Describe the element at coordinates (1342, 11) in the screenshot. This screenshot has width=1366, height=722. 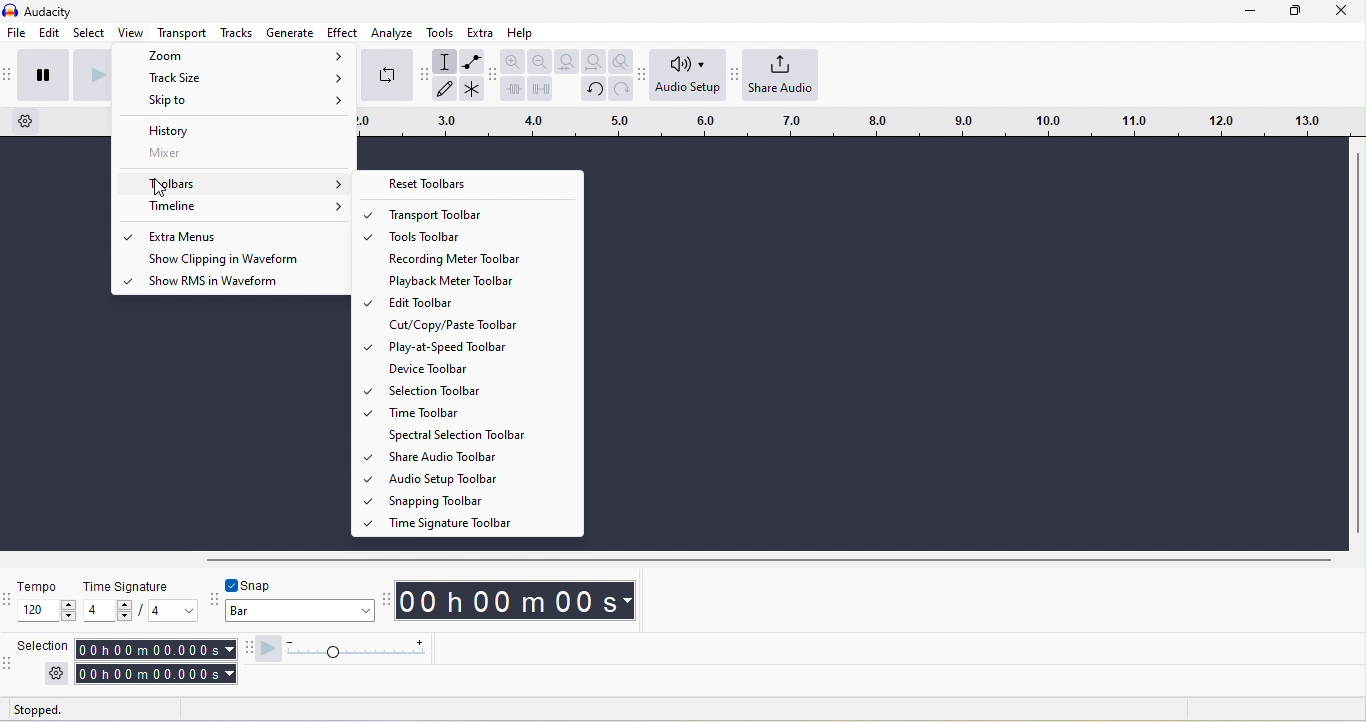
I see `close` at that location.